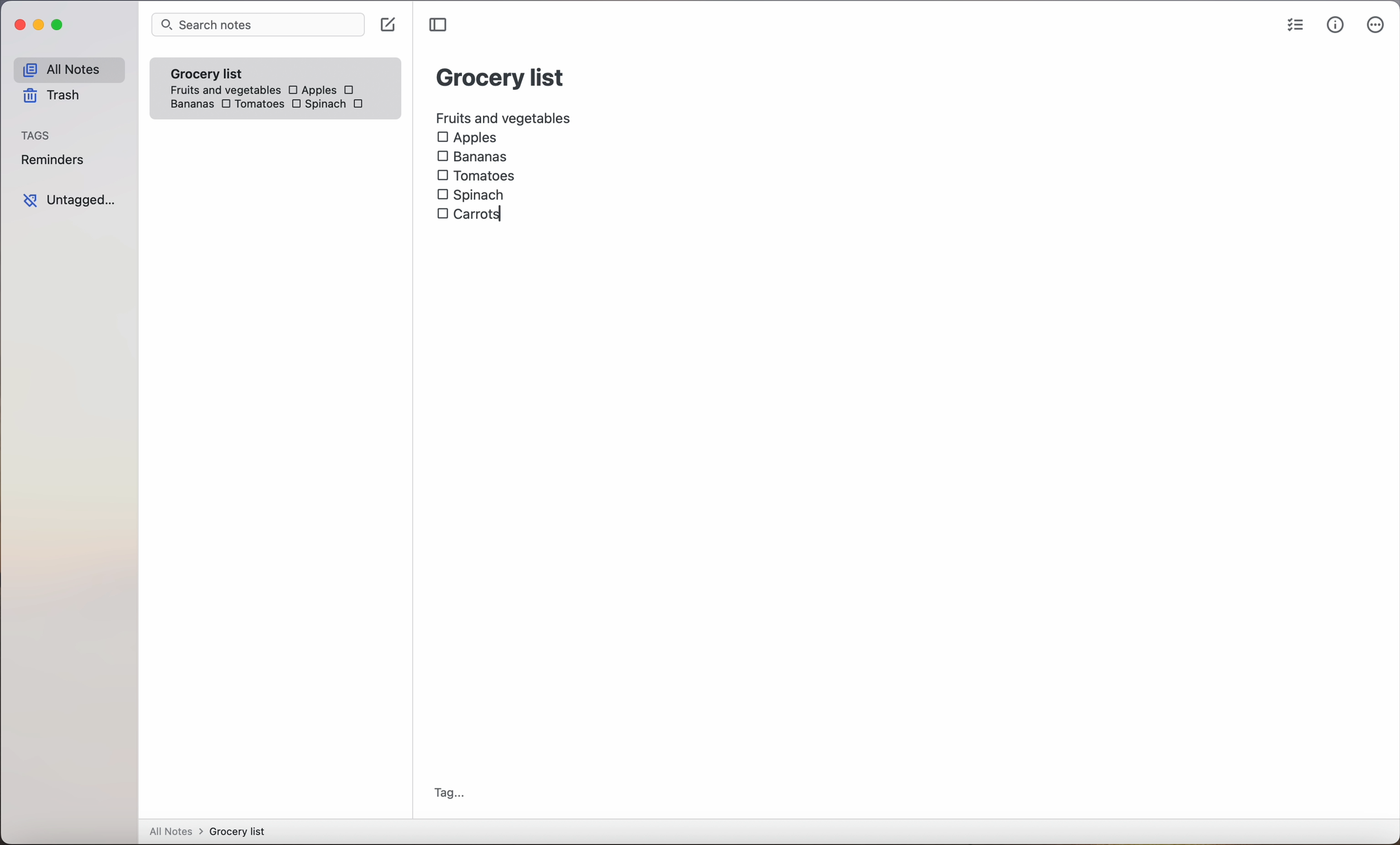 The image size is (1400, 845). Describe the element at coordinates (501, 76) in the screenshot. I see `grocery list` at that location.